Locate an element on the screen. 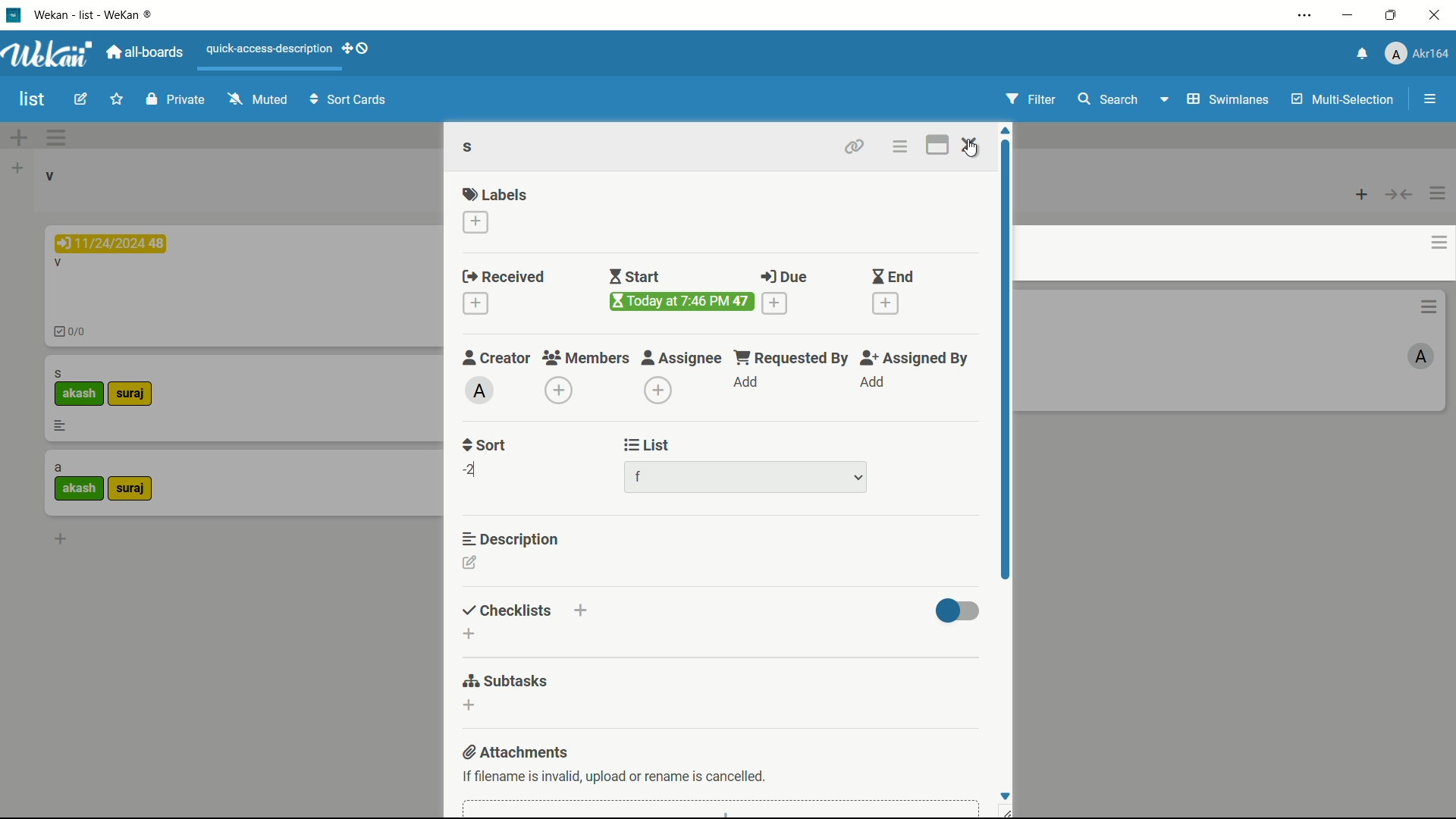 The width and height of the screenshot is (1456, 819). card actions is located at coordinates (1437, 243).